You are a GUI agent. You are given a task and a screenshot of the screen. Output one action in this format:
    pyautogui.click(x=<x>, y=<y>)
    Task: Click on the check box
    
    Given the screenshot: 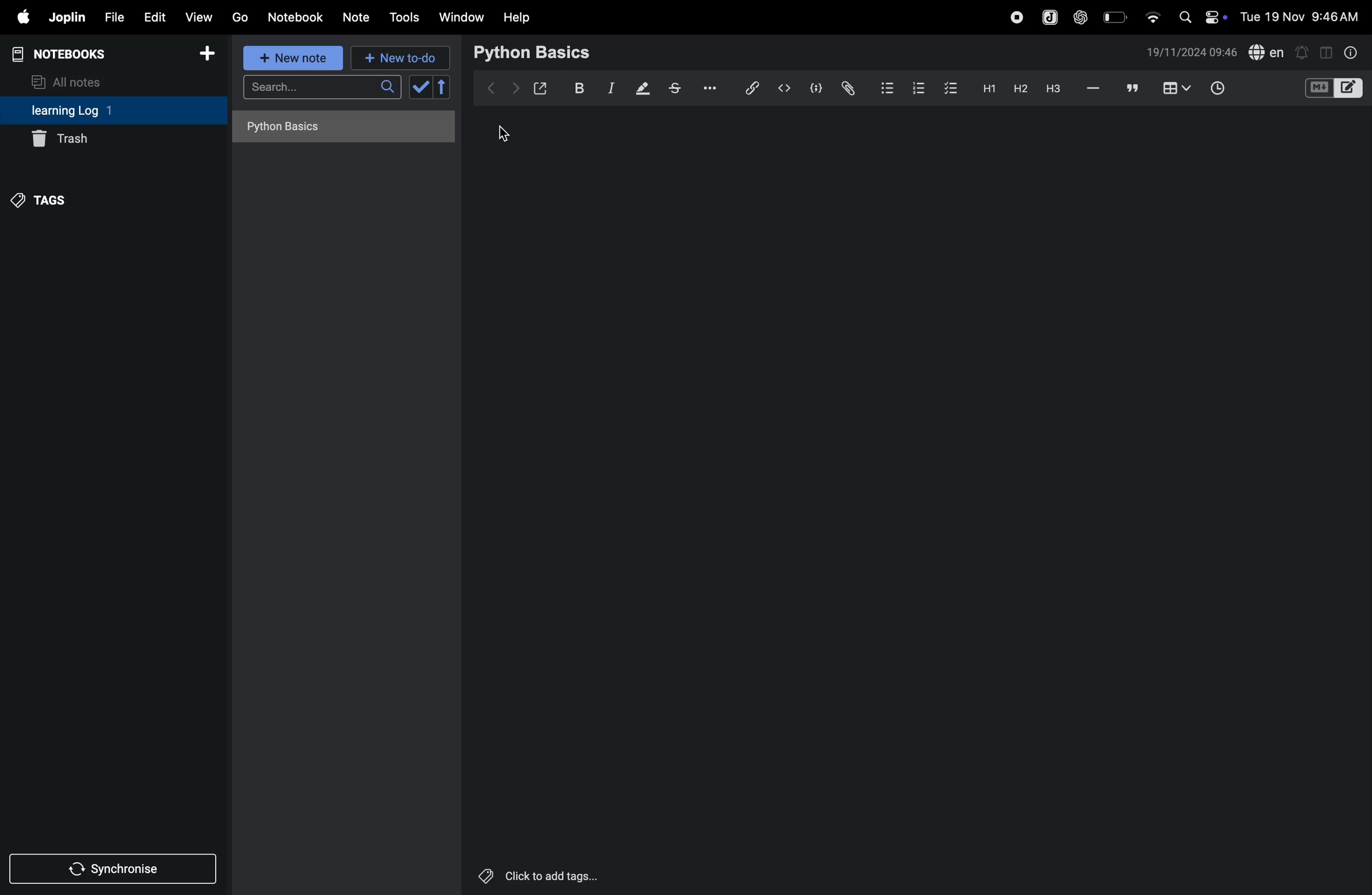 What is the action you would take?
    pyautogui.click(x=432, y=87)
    